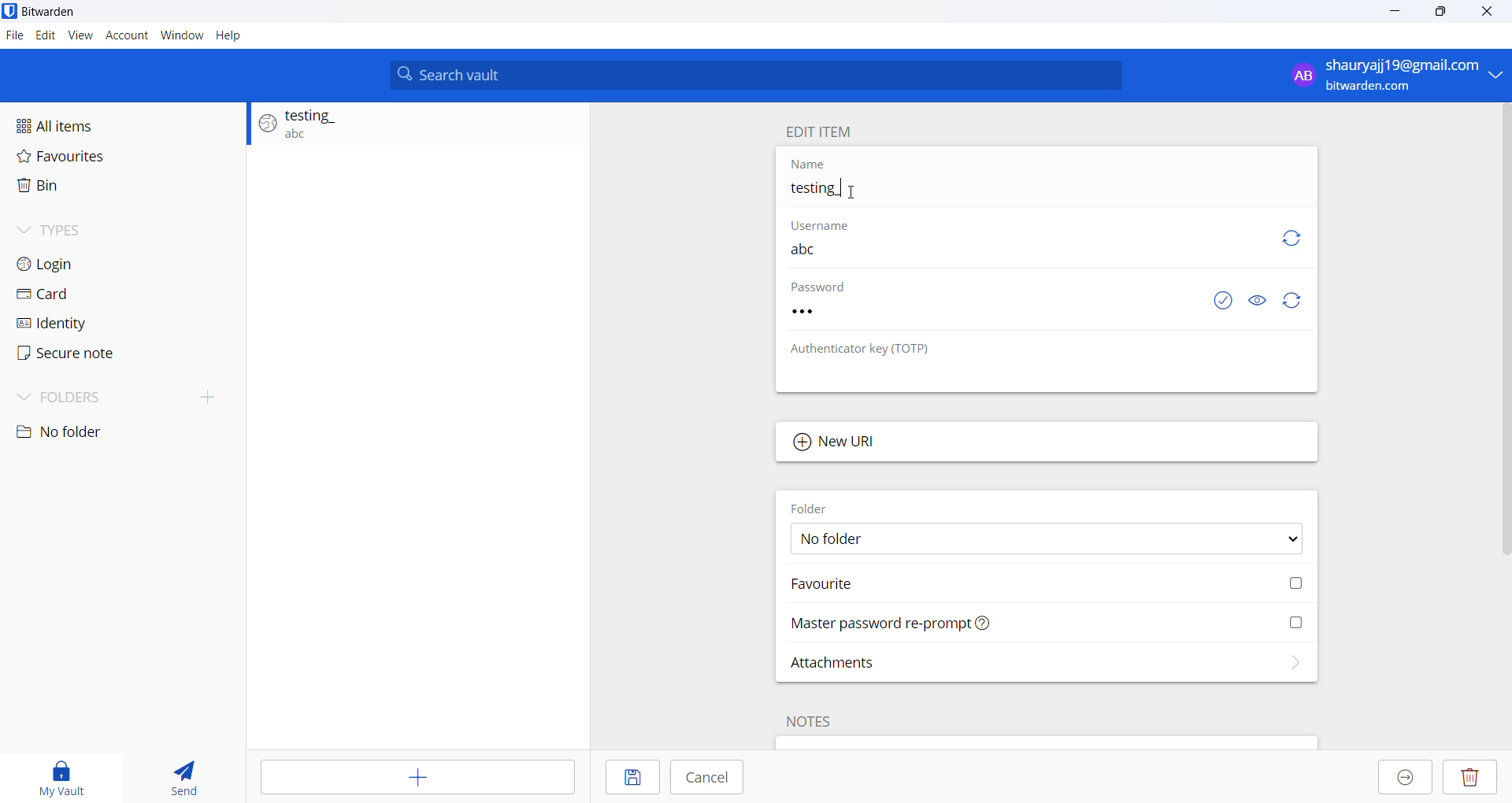  I want to click on No folder, so click(78, 434).